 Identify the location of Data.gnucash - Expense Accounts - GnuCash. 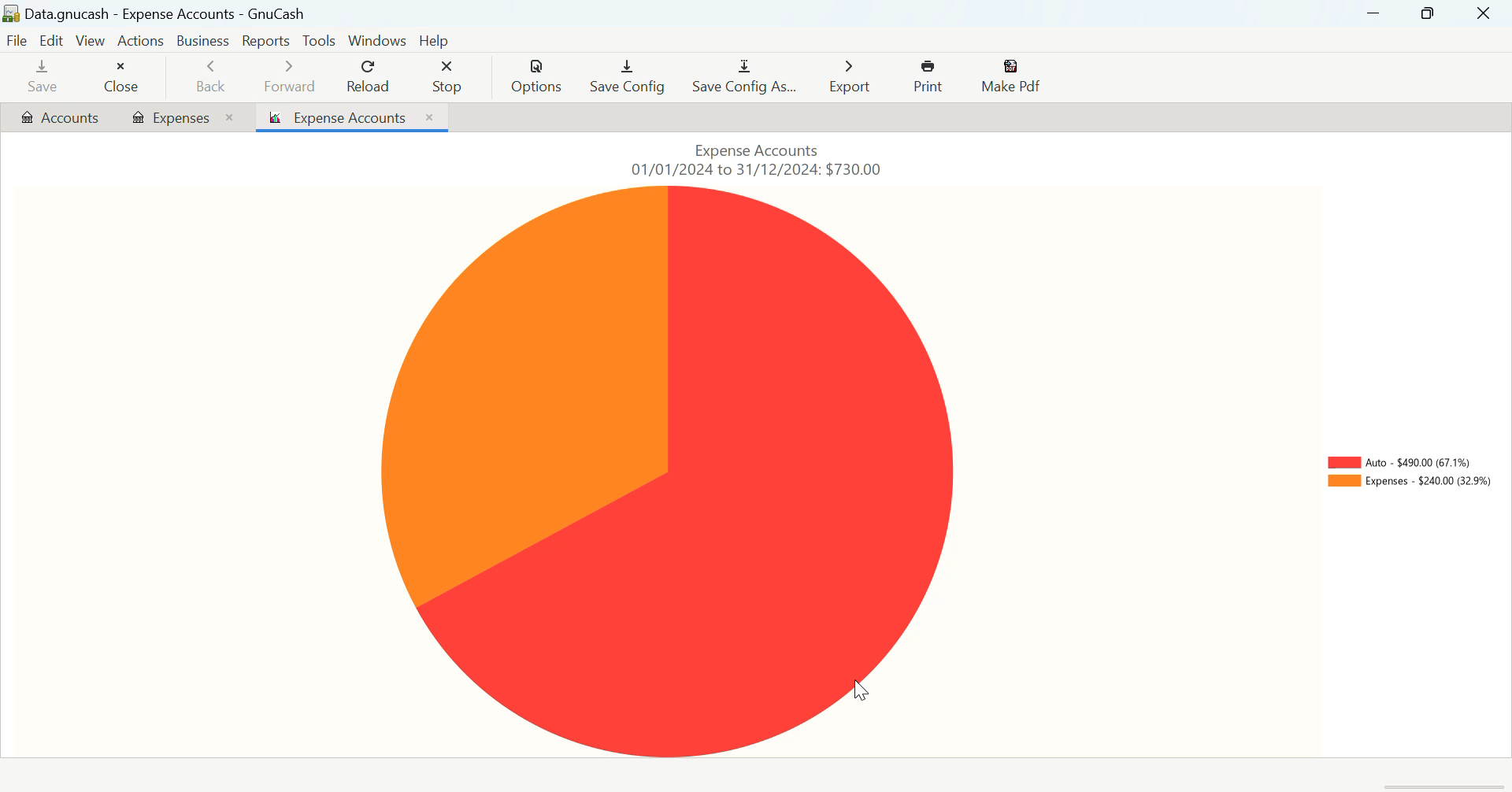
(161, 13).